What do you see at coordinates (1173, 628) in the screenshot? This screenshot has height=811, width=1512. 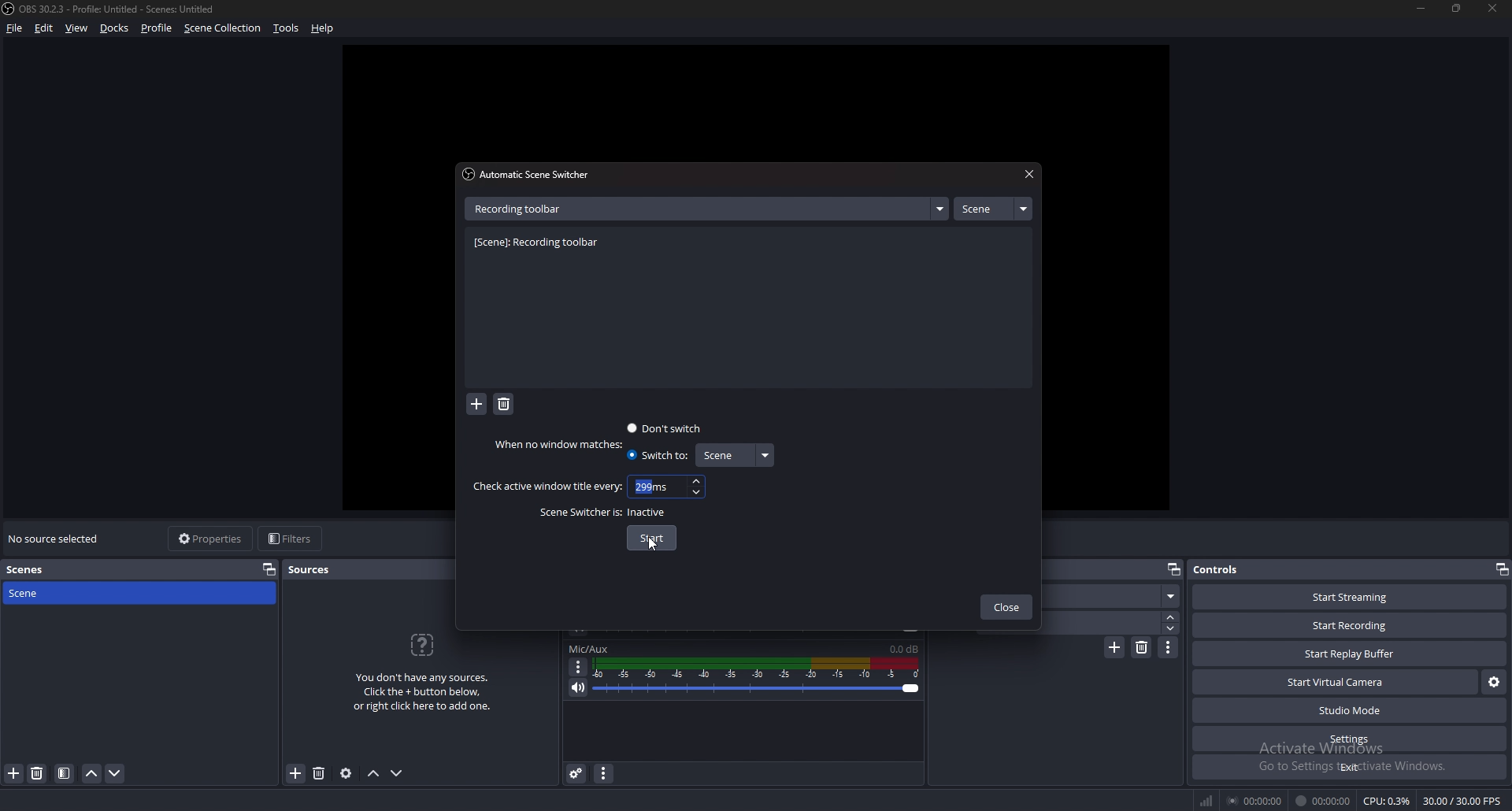 I see `decrease duration` at bounding box center [1173, 628].